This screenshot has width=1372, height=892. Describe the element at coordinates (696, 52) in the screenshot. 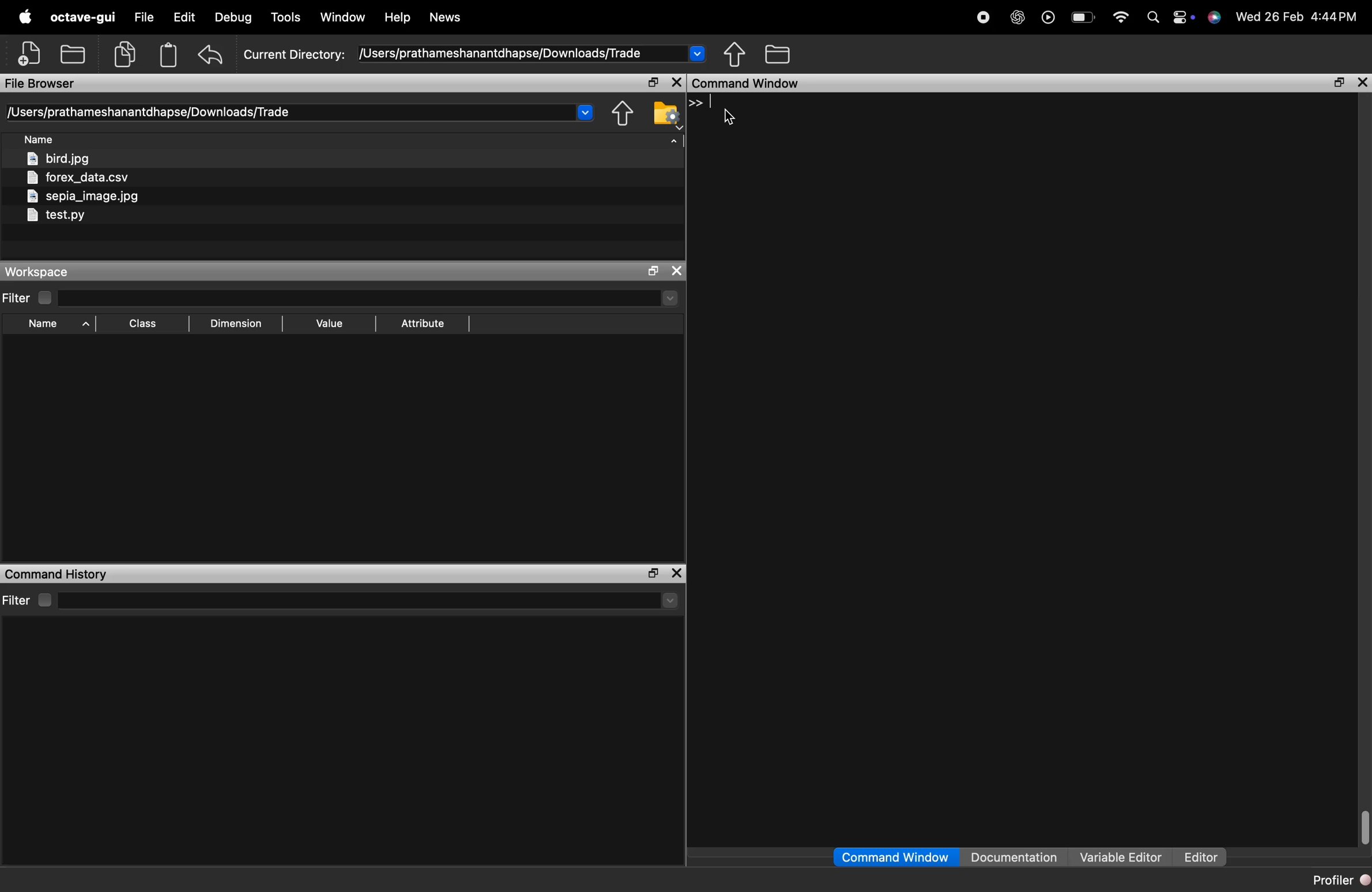

I see `Drop-down ` at that location.